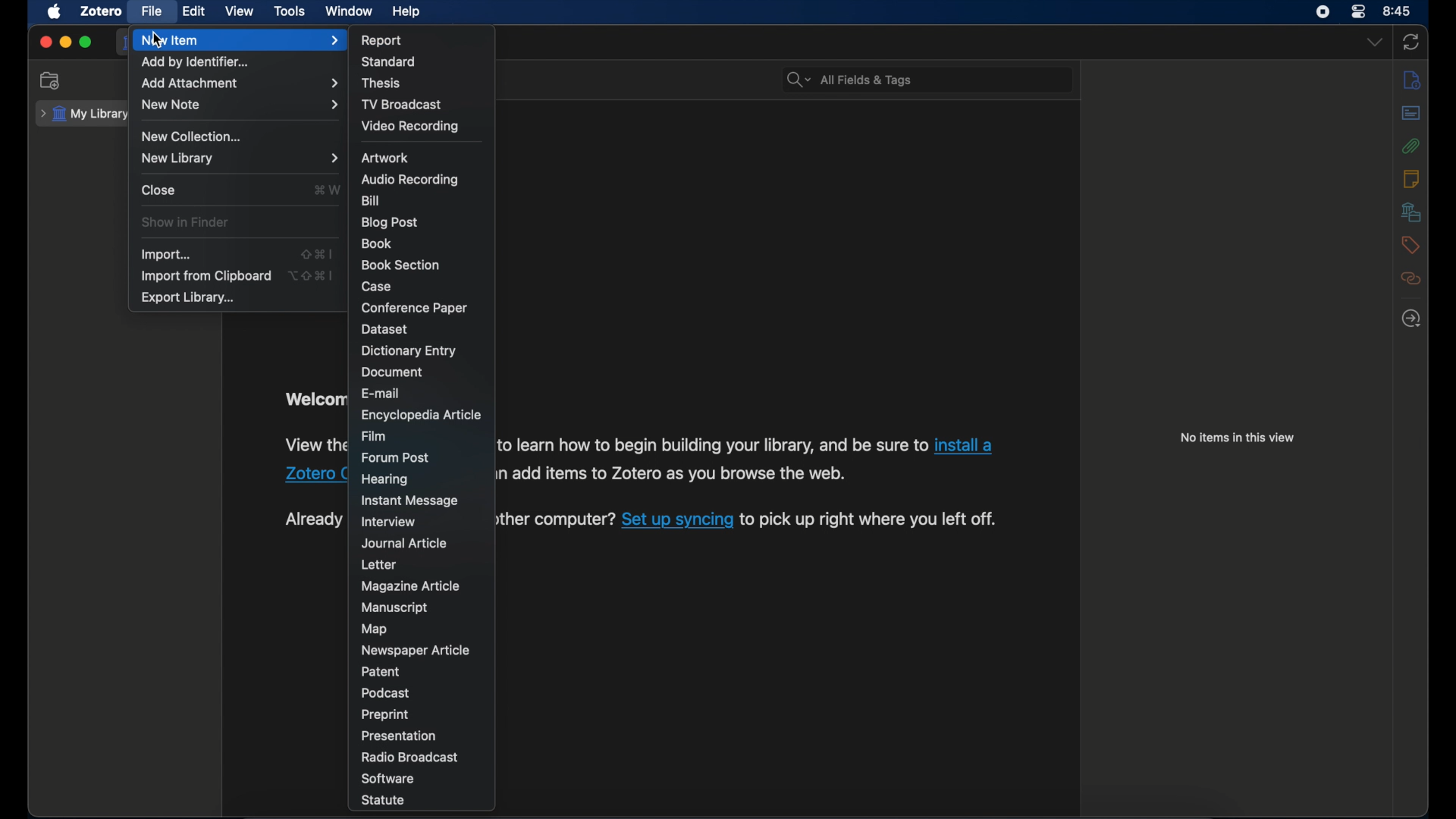 This screenshot has height=819, width=1456. Describe the element at coordinates (290, 11) in the screenshot. I see `tools` at that location.